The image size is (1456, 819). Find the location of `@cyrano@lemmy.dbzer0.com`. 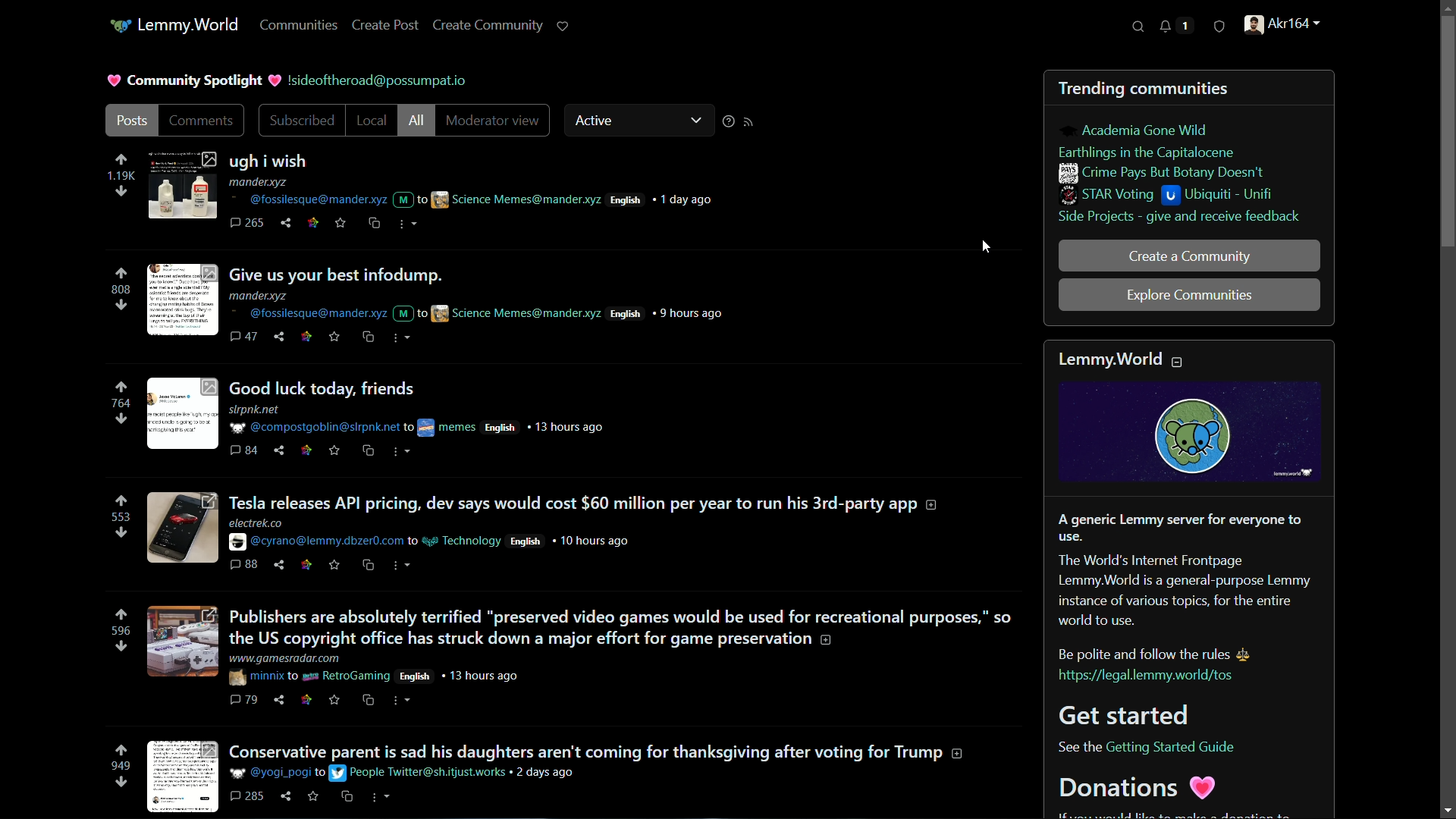

@cyrano@lemmy.dbzer0.com is located at coordinates (315, 542).